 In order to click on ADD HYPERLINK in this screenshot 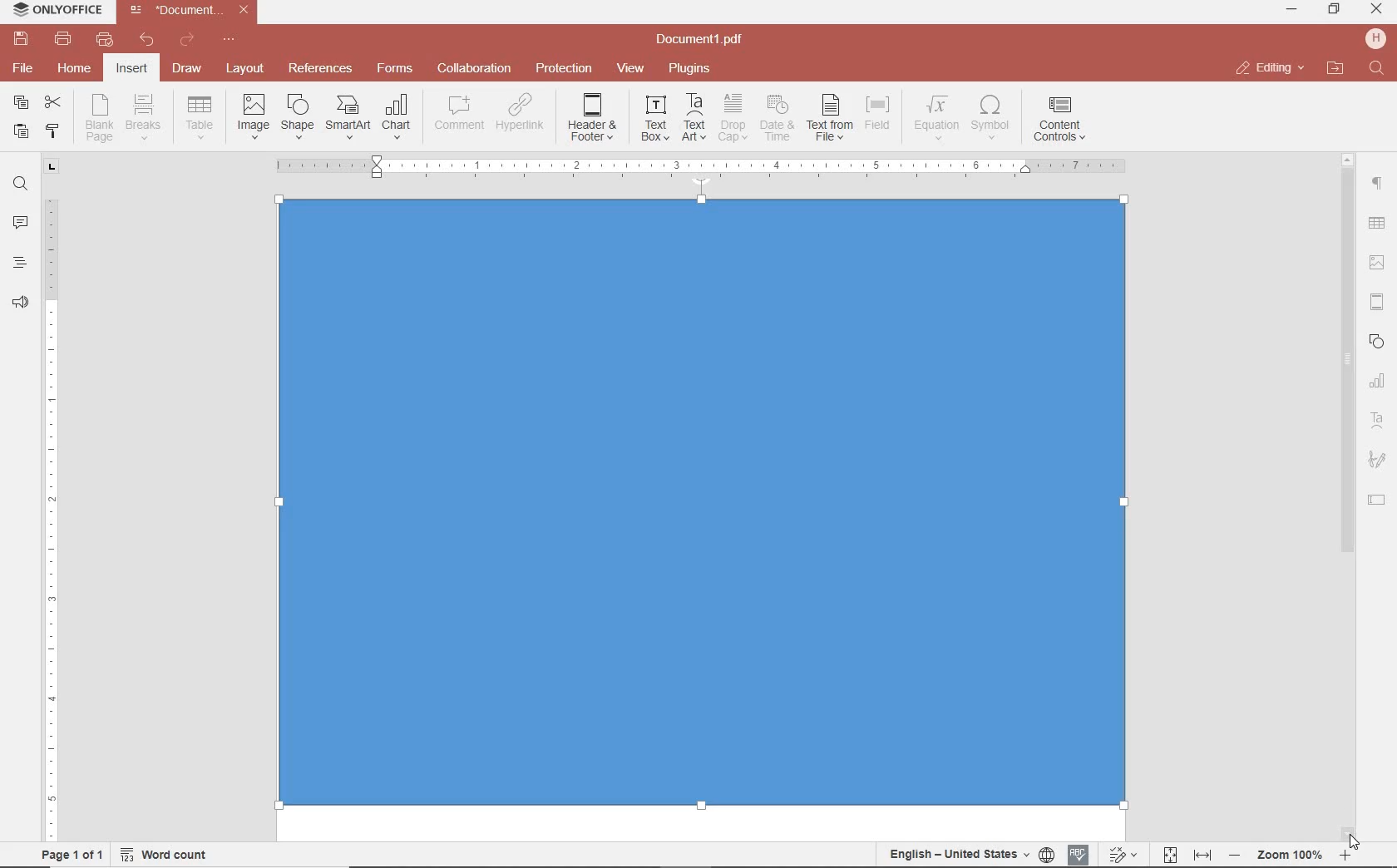, I will do `click(521, 116)`.